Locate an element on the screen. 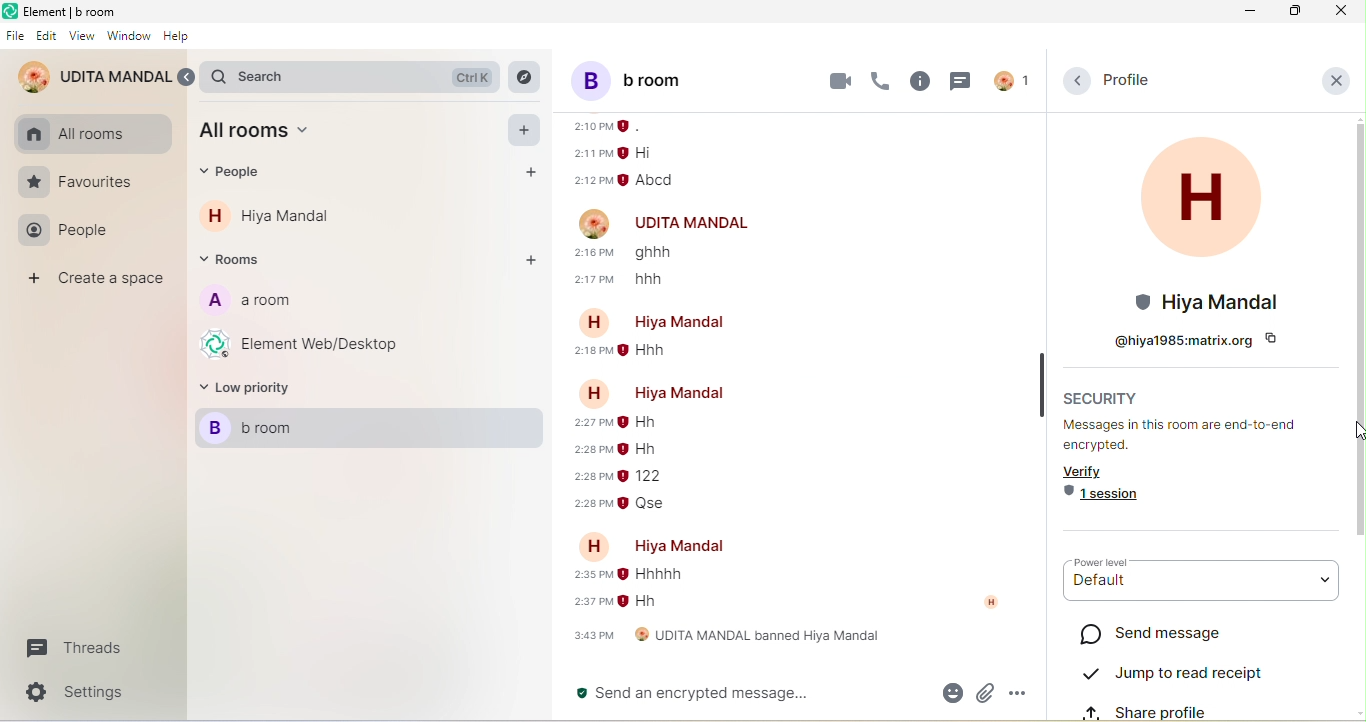 Image resolution: width=1366 pixels, height=722 pixels. sending message time is located at coordinates (588, 603).